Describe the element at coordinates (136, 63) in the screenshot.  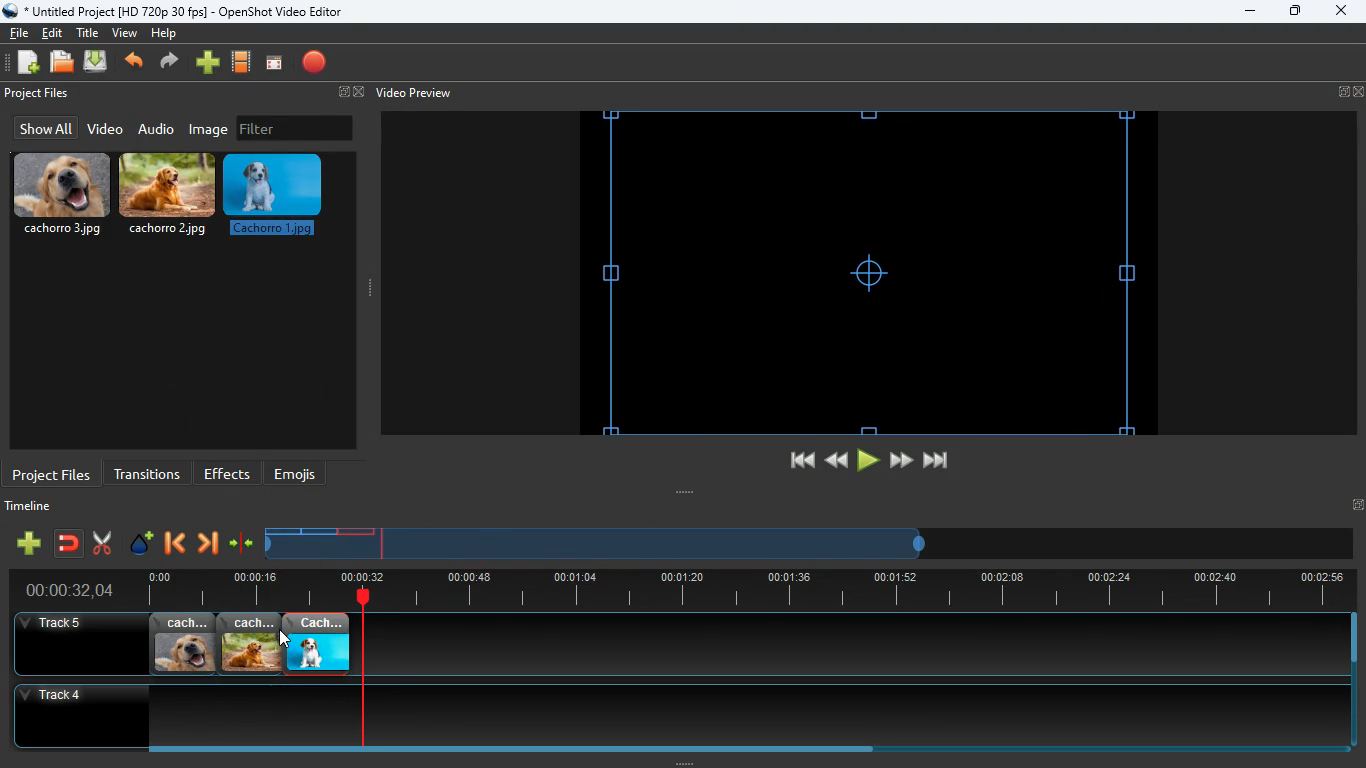
I see `back` at that location.